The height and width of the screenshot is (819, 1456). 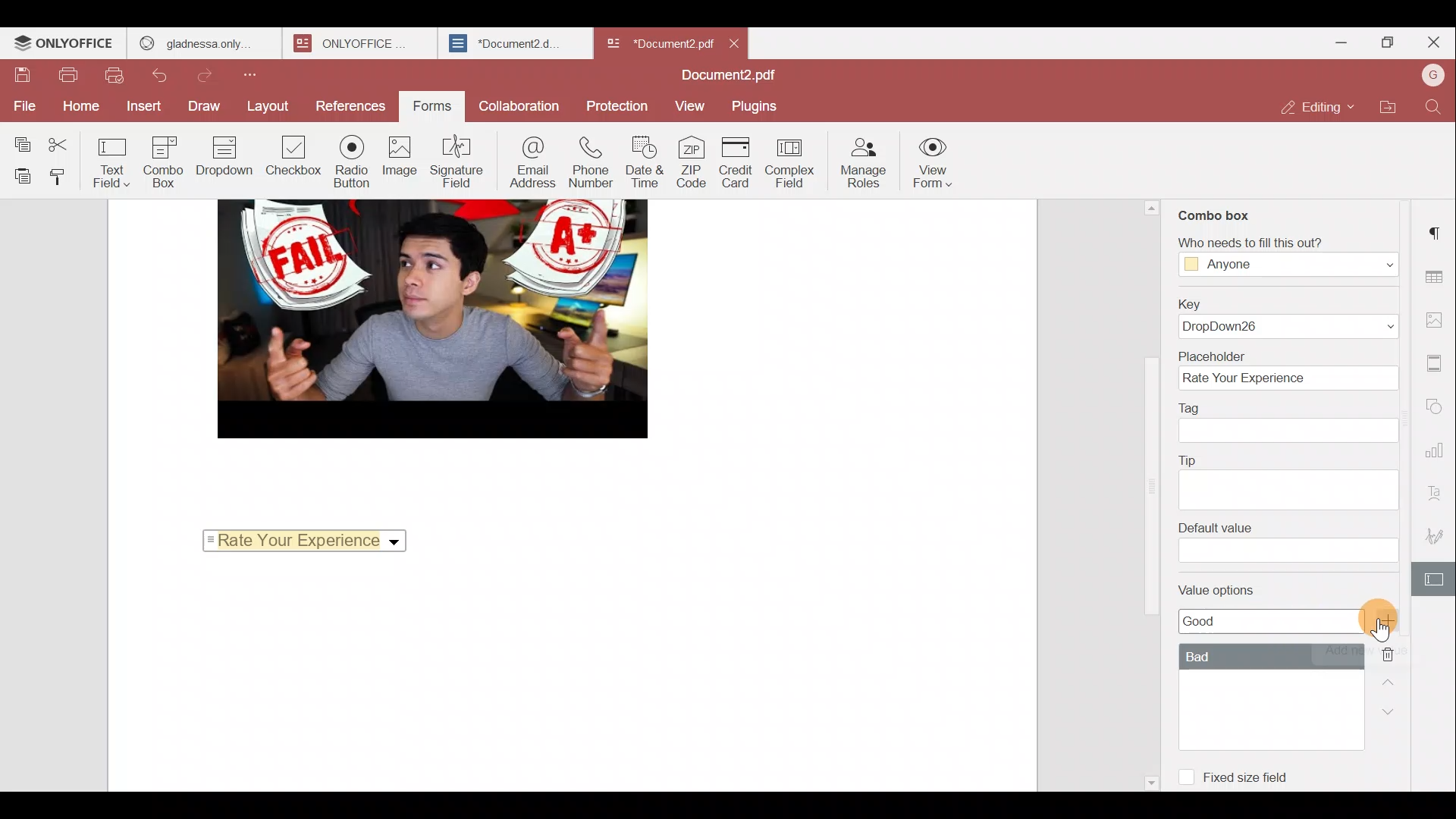 What do you see at coordinates (140, 106) in the screenshot?
I see `Insert` at bounding box center [140, 106].